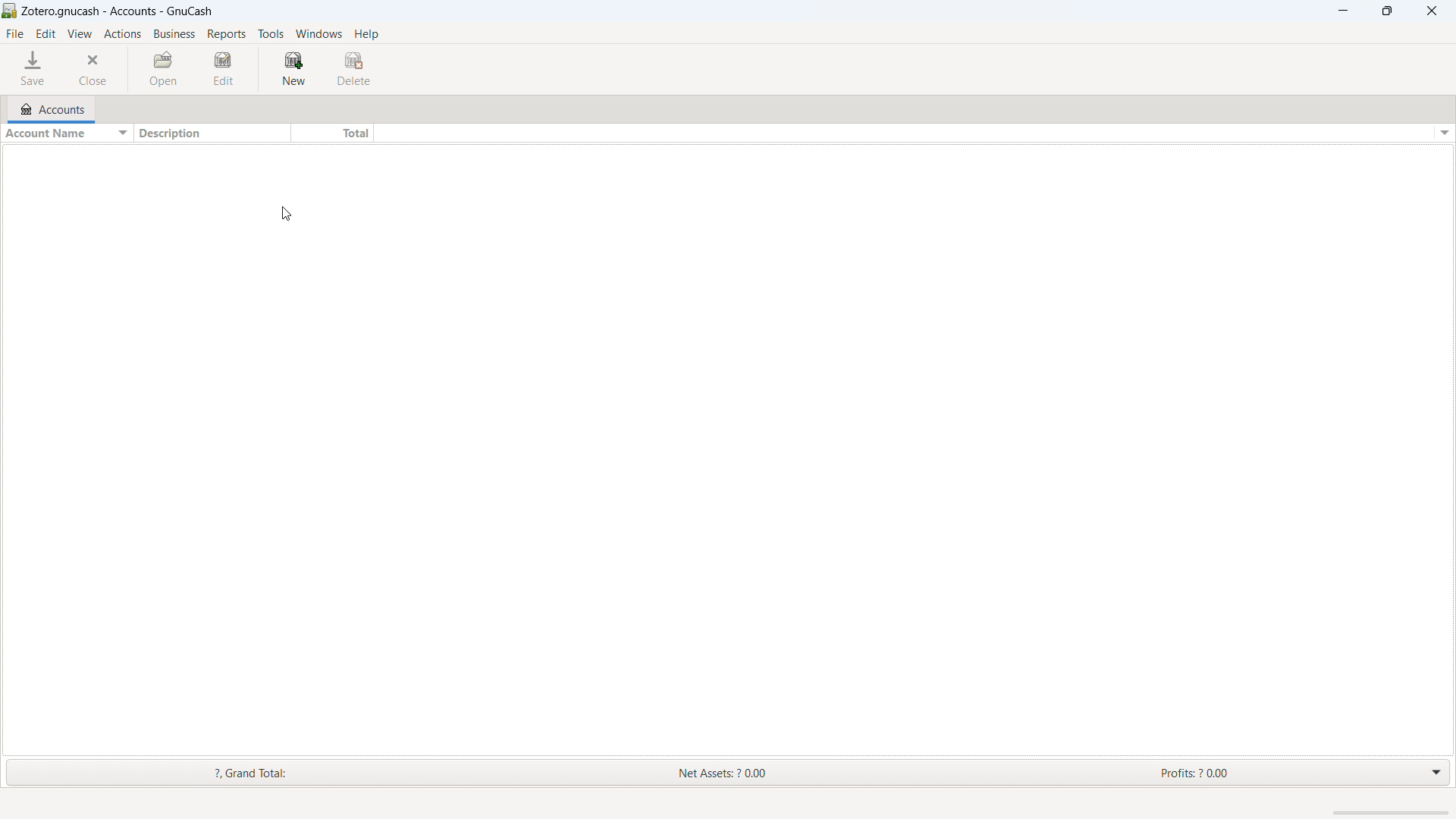  I want to click on accounts tab, so click(57, 107).